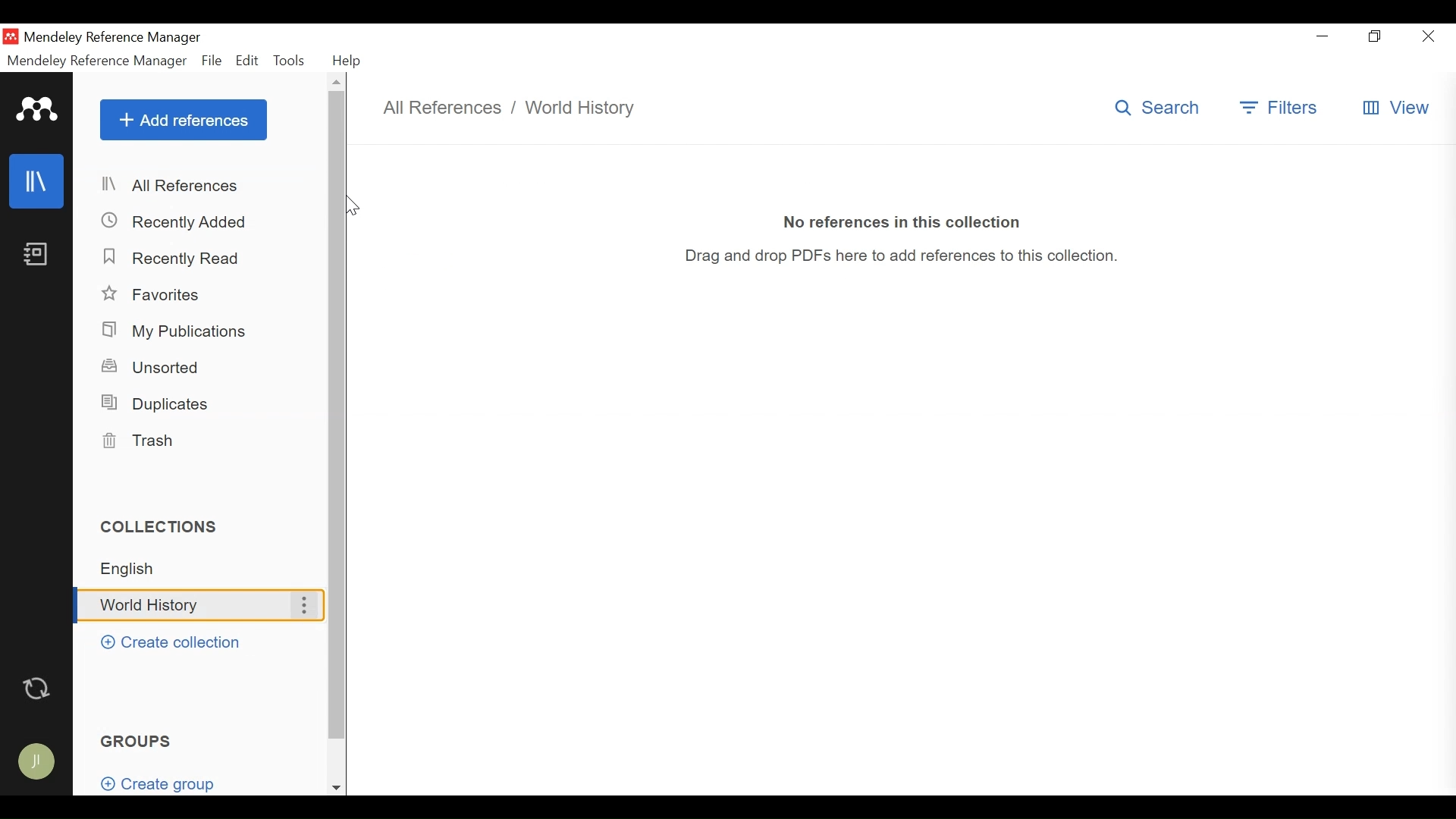 The width and height of the screenshot is (1456, 819). What do you see at coordinates (113, 39) in the screenshot?
I see `Mendeley Reference Manager` at bounding box center [113, 39].